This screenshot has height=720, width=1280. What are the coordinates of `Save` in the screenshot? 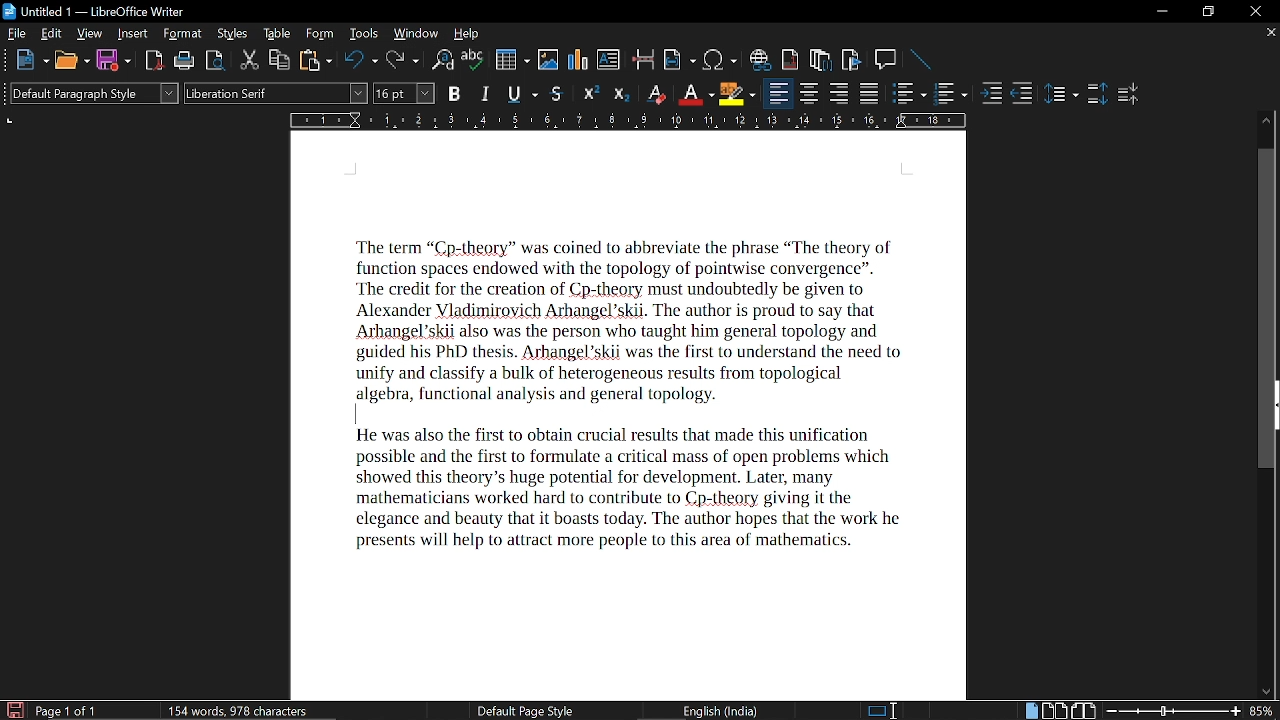 It's located at (13, 709).